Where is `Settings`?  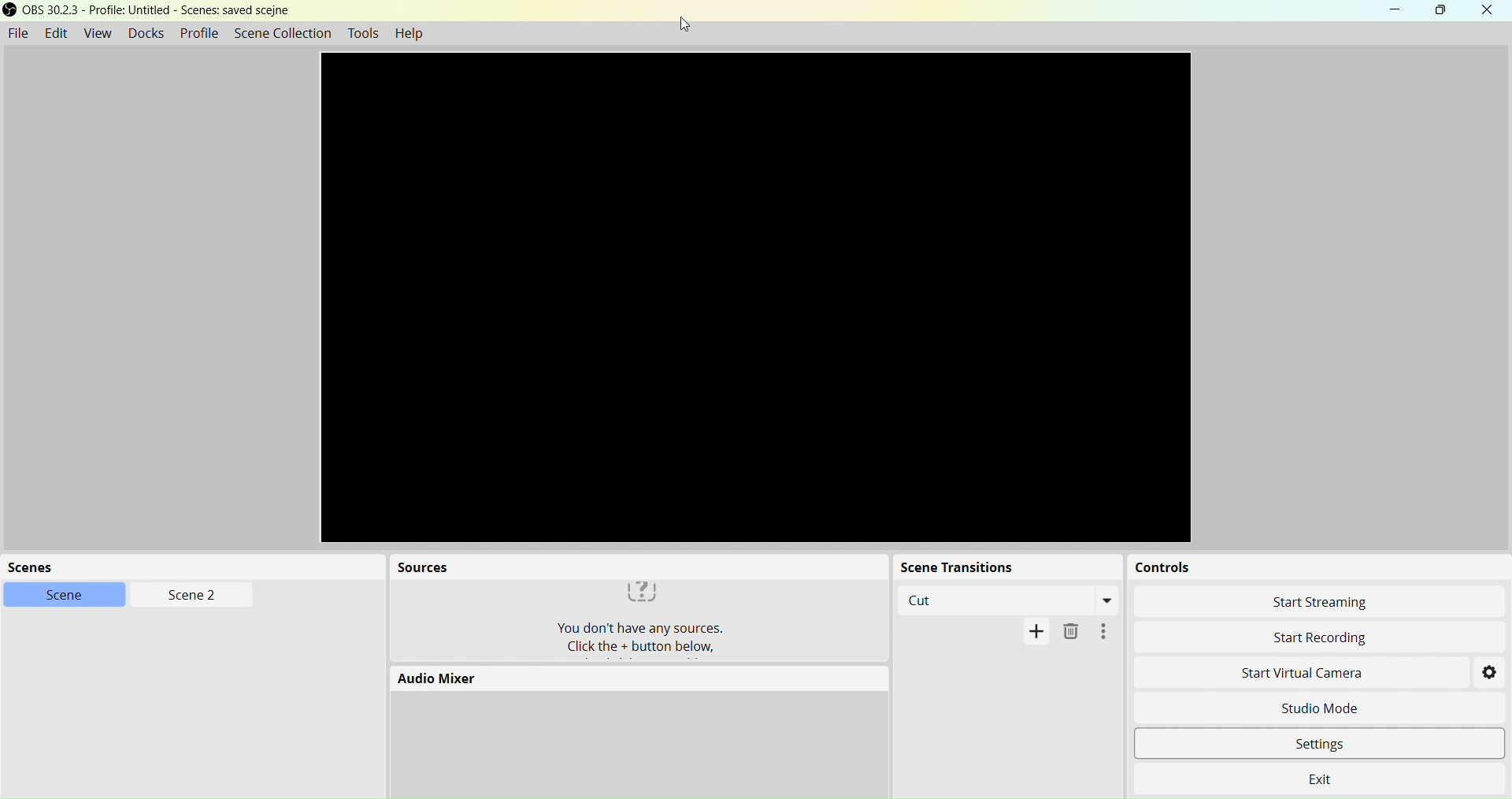 Settings is located at coordinates (1343, 745).